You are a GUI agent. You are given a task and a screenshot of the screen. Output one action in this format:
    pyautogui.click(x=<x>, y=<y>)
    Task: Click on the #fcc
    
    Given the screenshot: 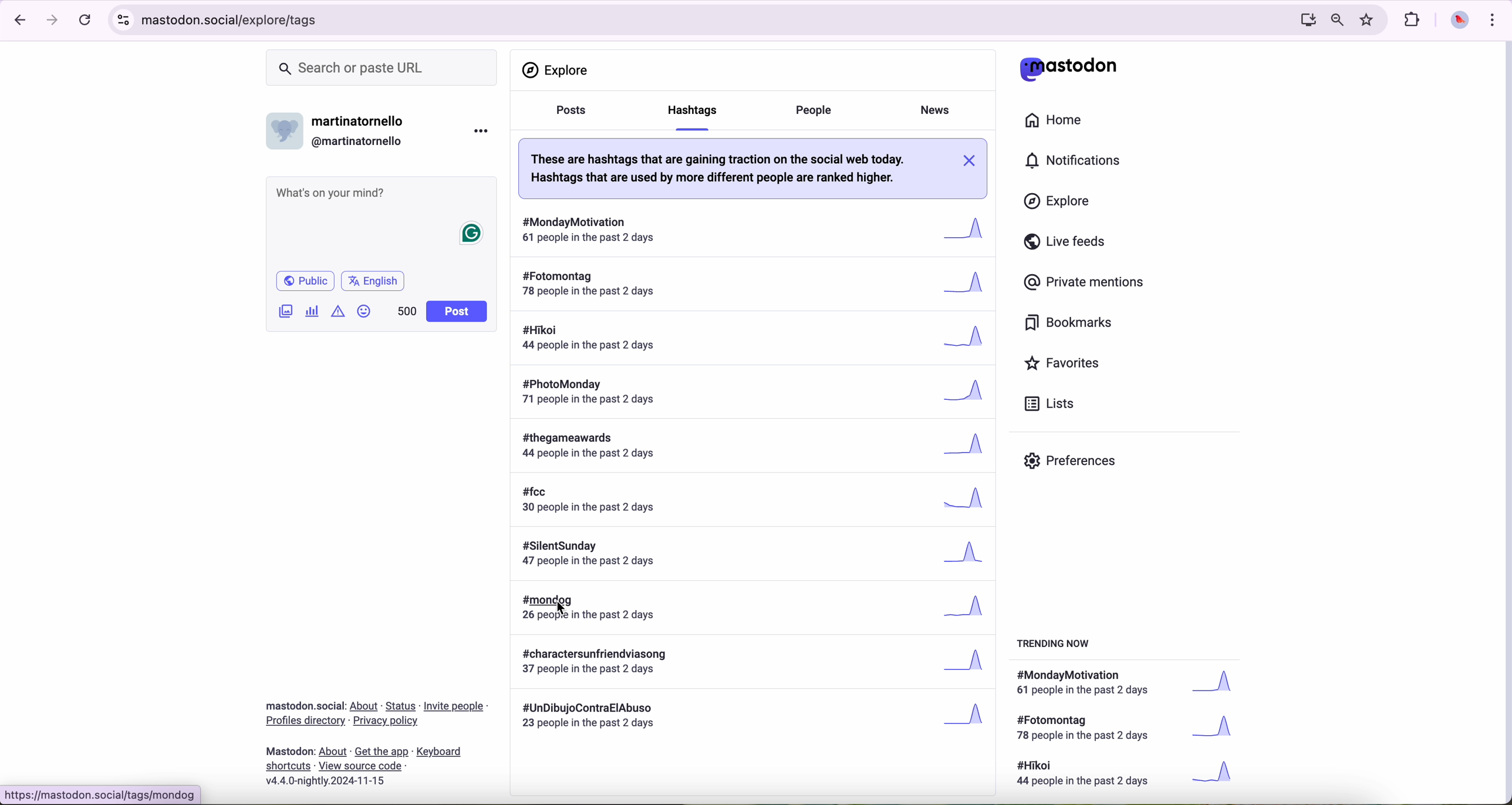 What is the action you would take?
    pyautogui.click(x=758, y=501)
    